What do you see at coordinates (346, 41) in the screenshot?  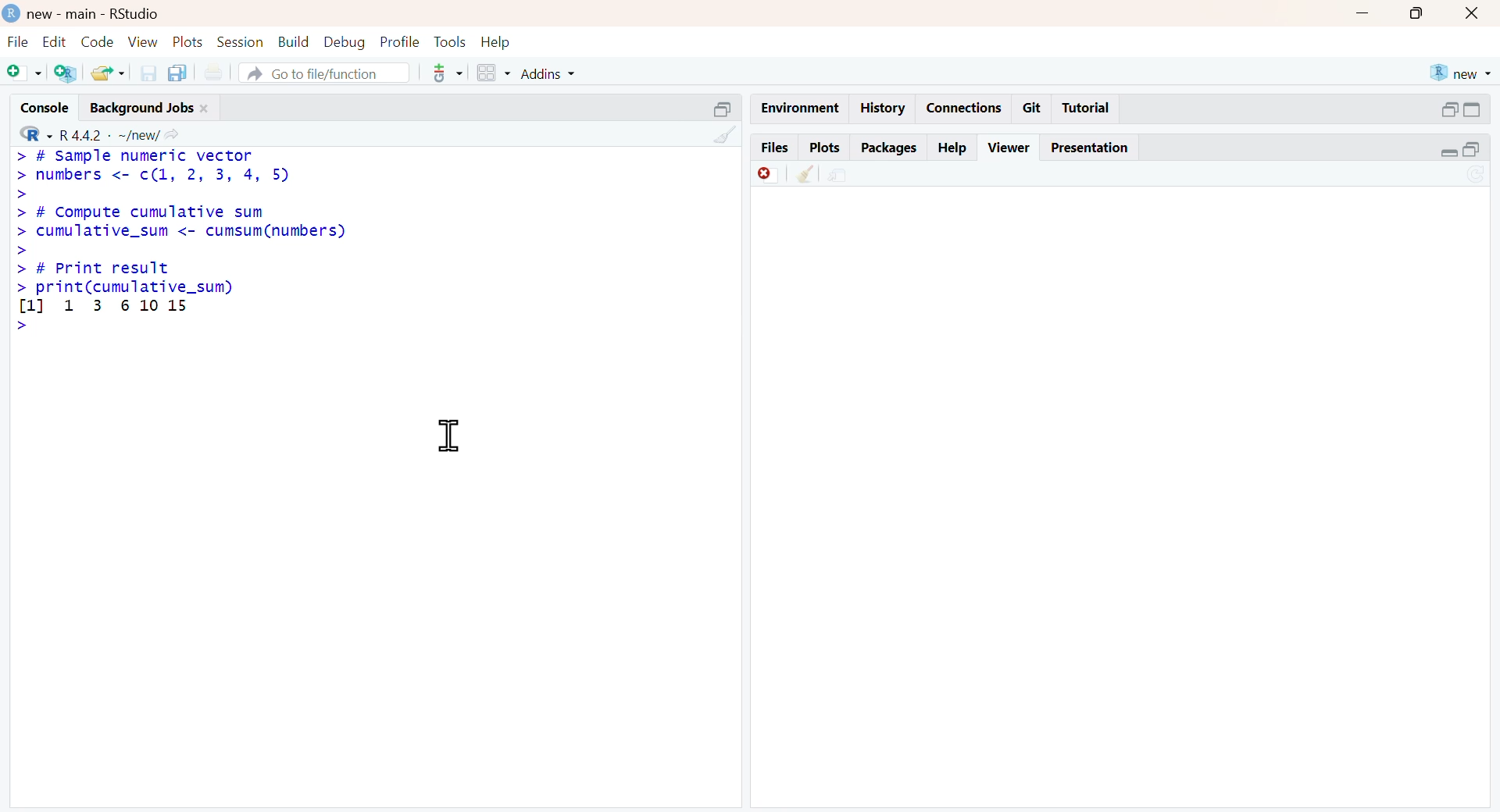 I see `debug` at bounding box center [346, 41].